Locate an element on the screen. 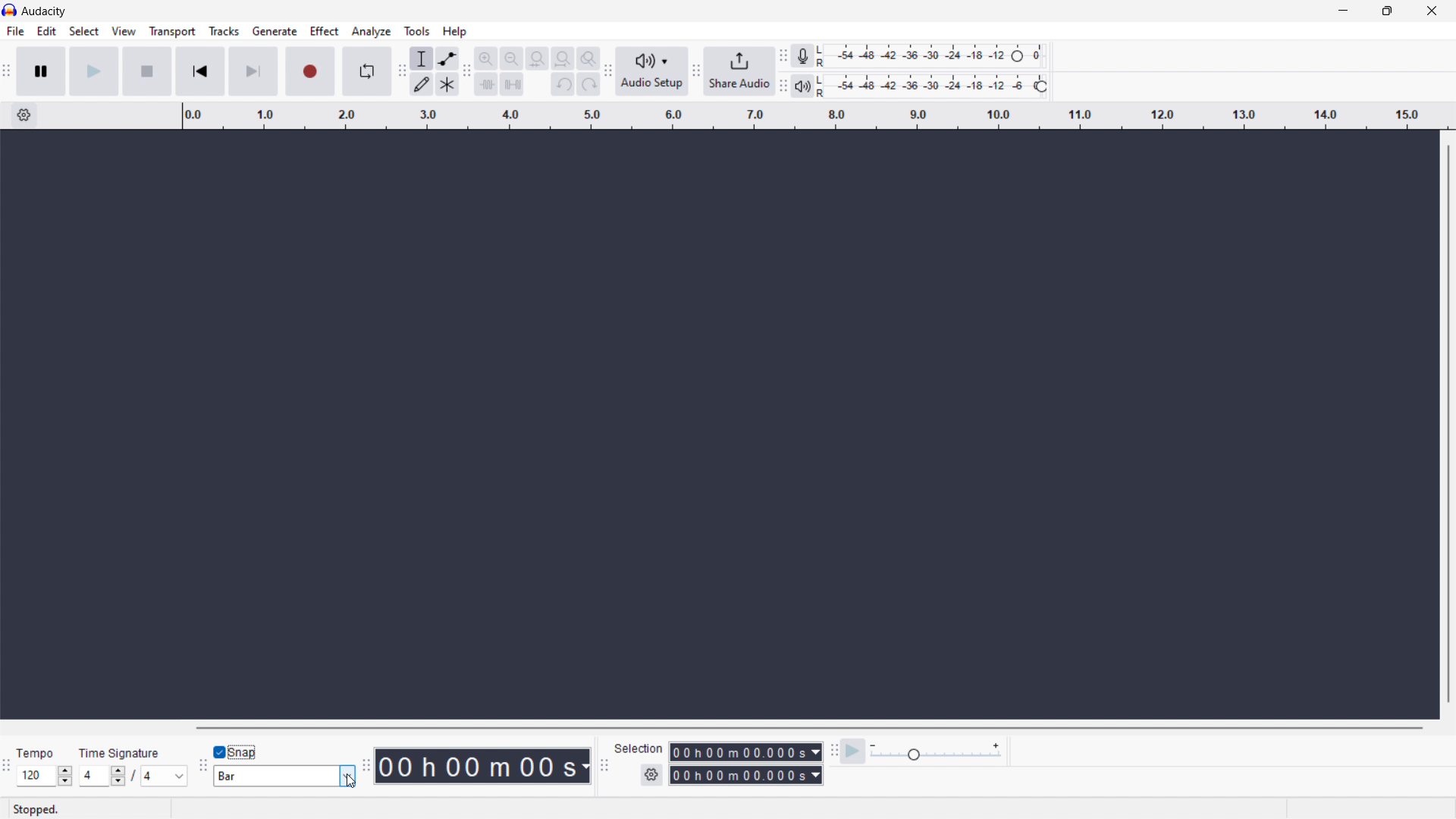 This screenshot has width=1456, height=819. share audio is located at coordinates (739, 71).